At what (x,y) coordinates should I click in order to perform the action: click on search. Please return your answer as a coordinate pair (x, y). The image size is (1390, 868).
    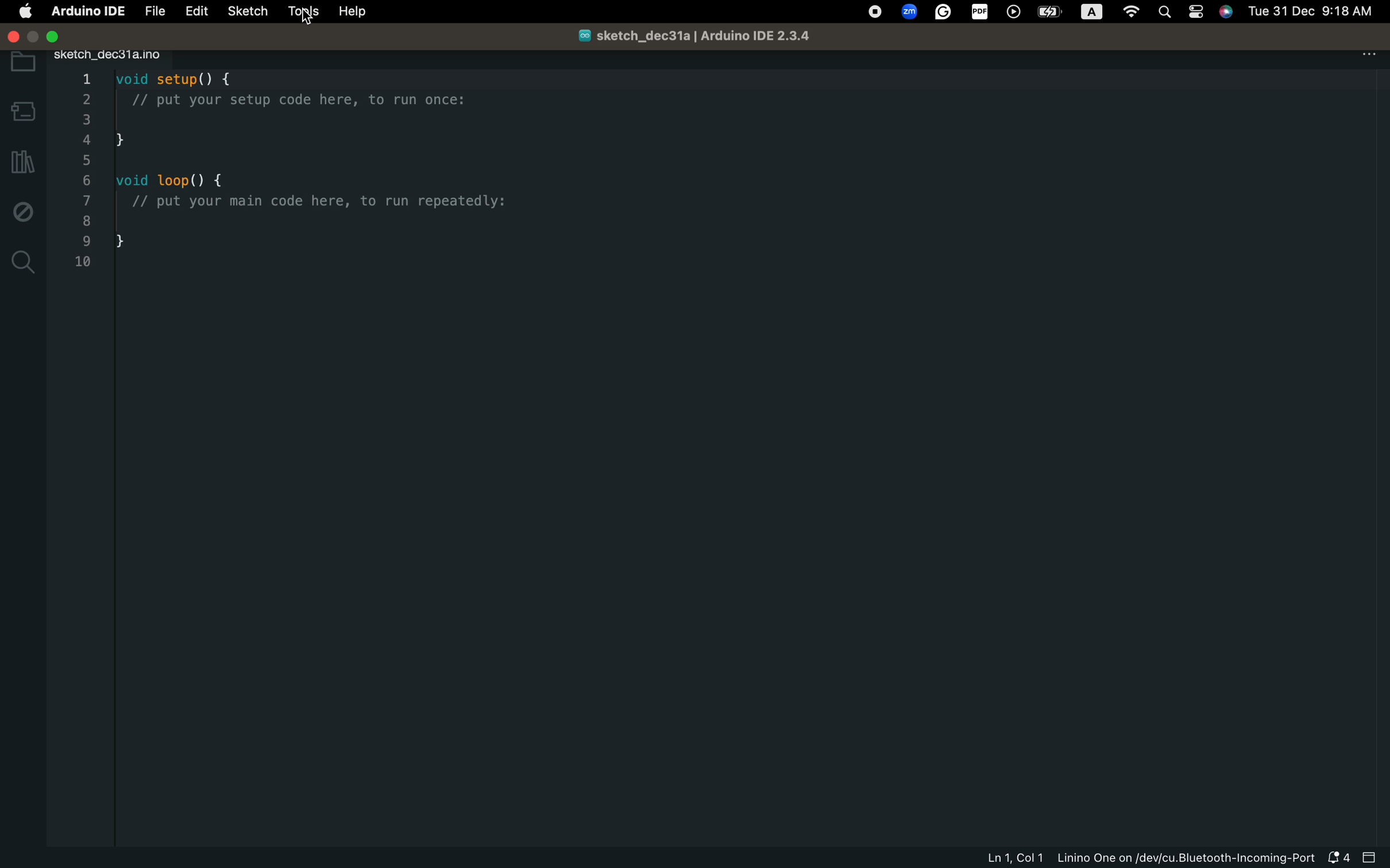
    Looking at the image, I should click on (1165, 14).